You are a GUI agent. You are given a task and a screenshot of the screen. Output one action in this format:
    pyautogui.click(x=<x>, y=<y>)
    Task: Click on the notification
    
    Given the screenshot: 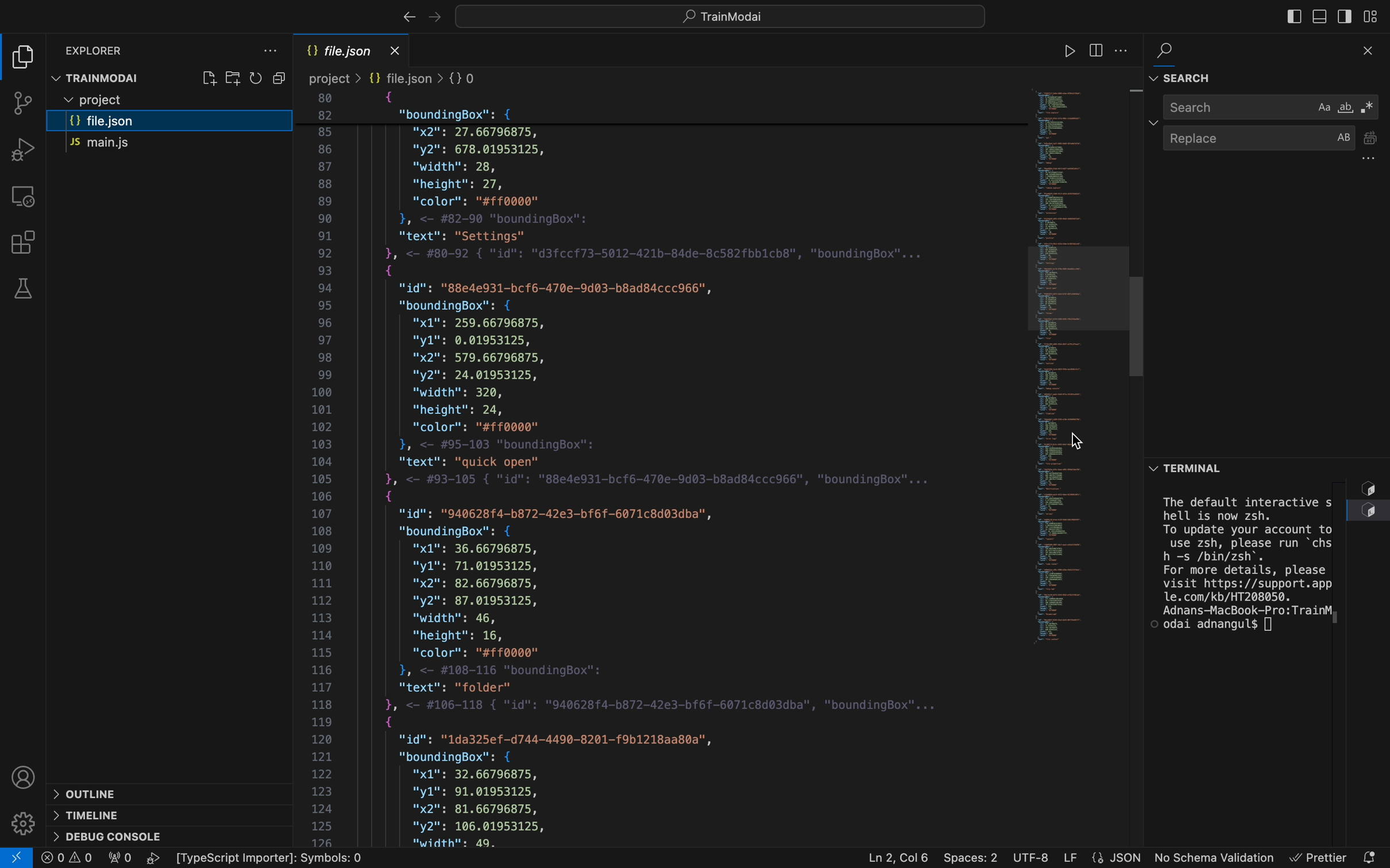 What is the action you would take?
    pyautogui.click(x=1371, y=853)
    